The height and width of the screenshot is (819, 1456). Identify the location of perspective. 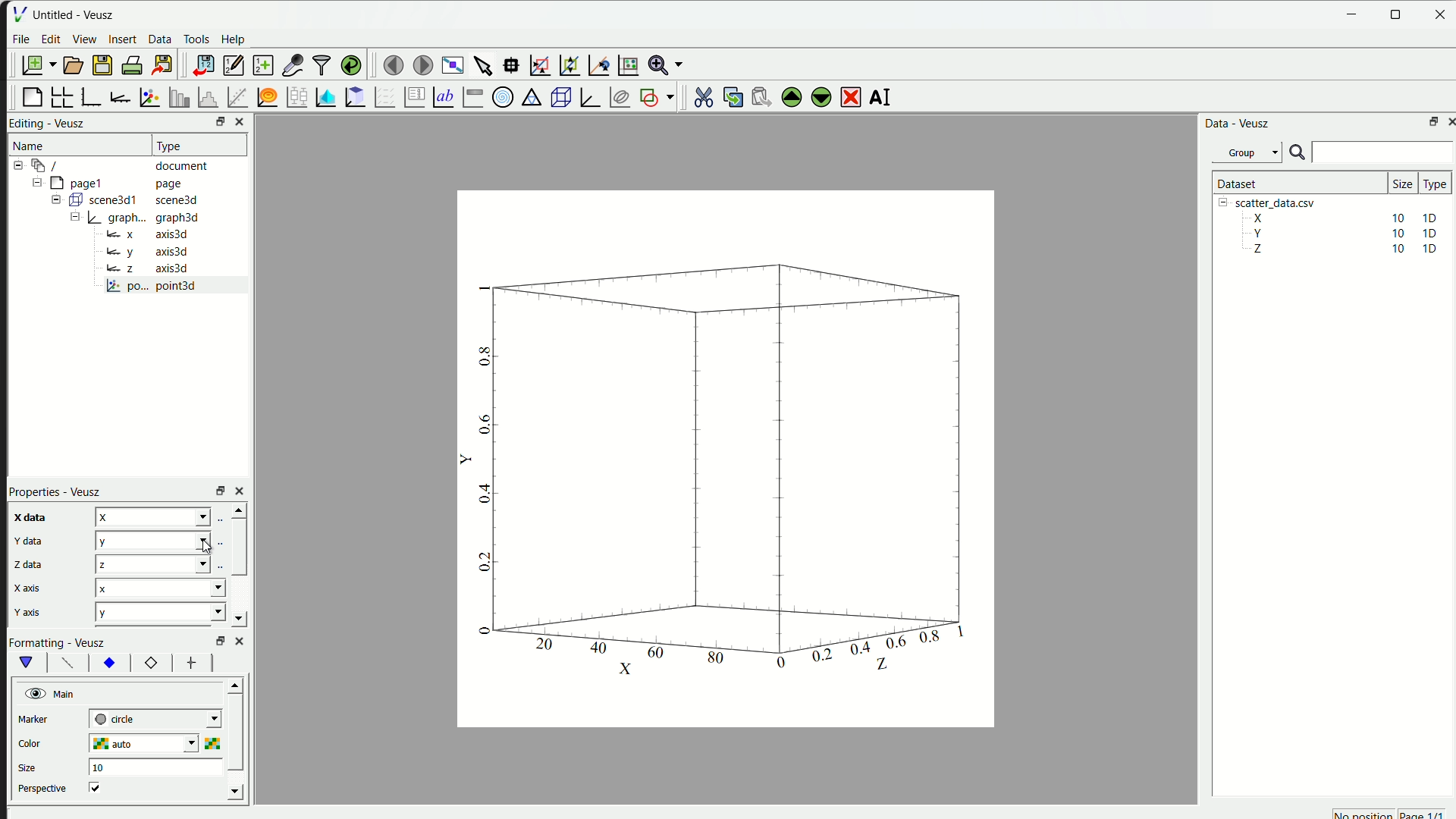
(42, 789).